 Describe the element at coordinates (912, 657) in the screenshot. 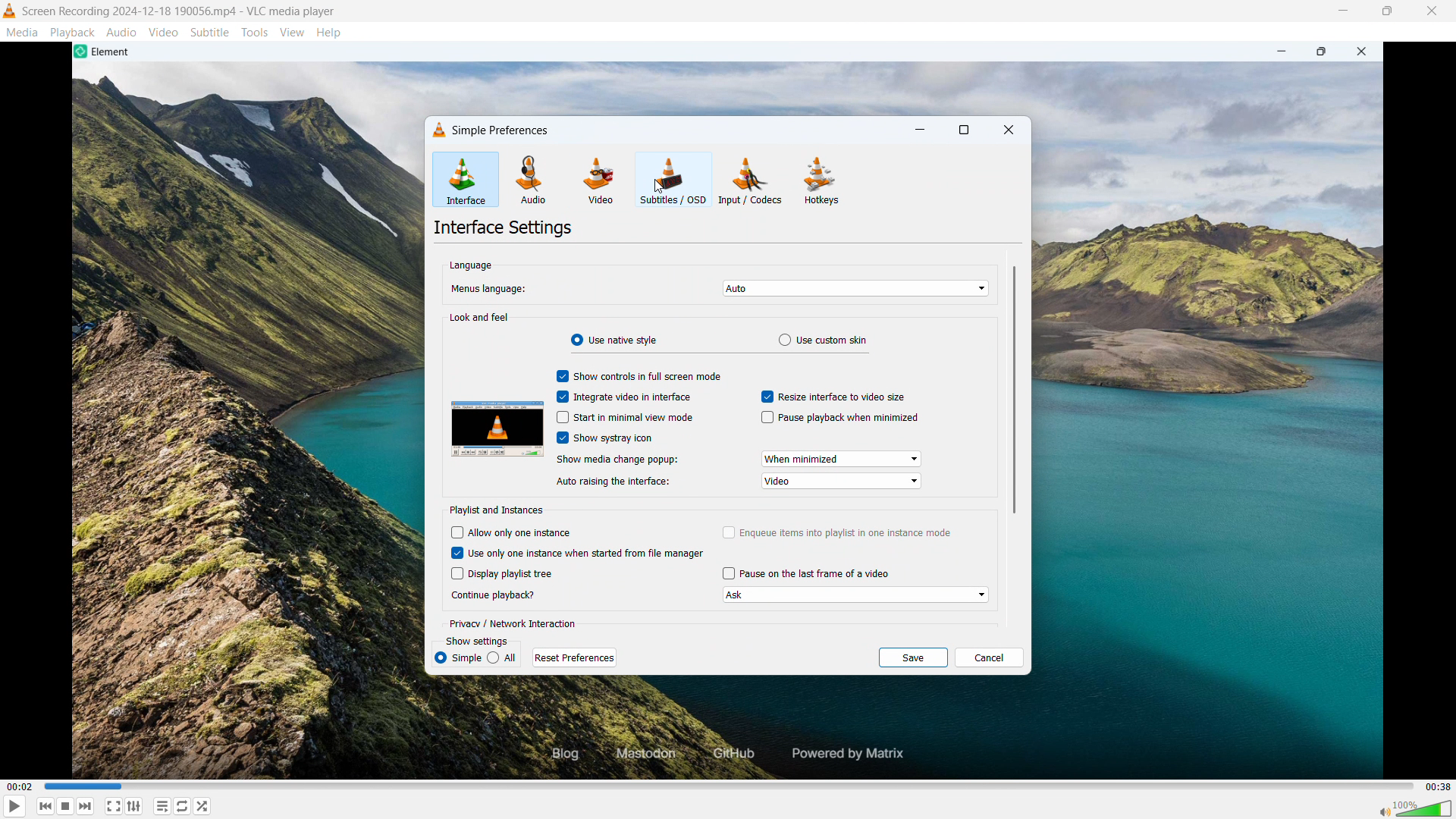

I see `save ` at that location.